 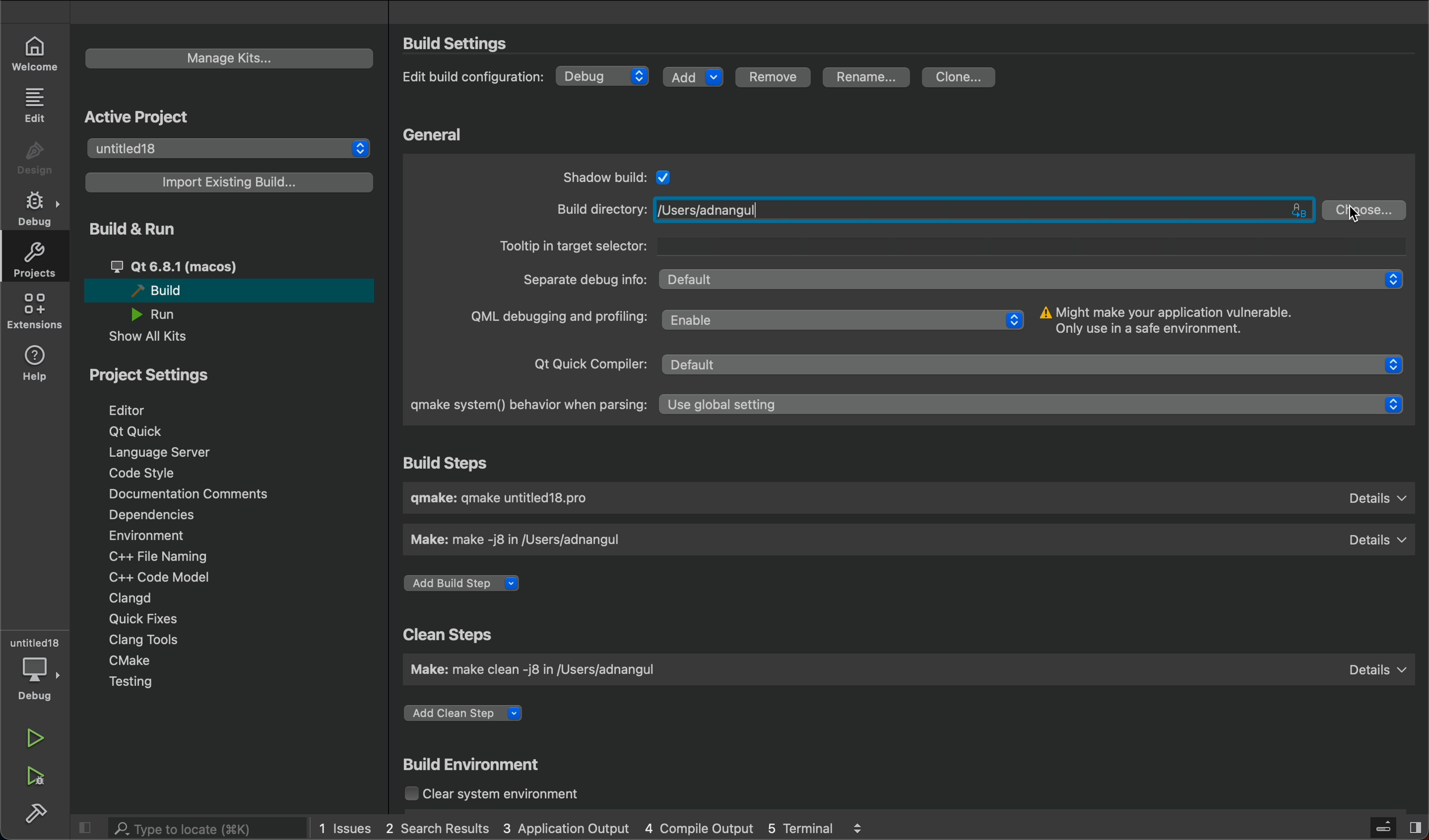 What do you see at coordinates (141, 409) in the screenshot?
I see `editor` at bounding box center [141, 409].